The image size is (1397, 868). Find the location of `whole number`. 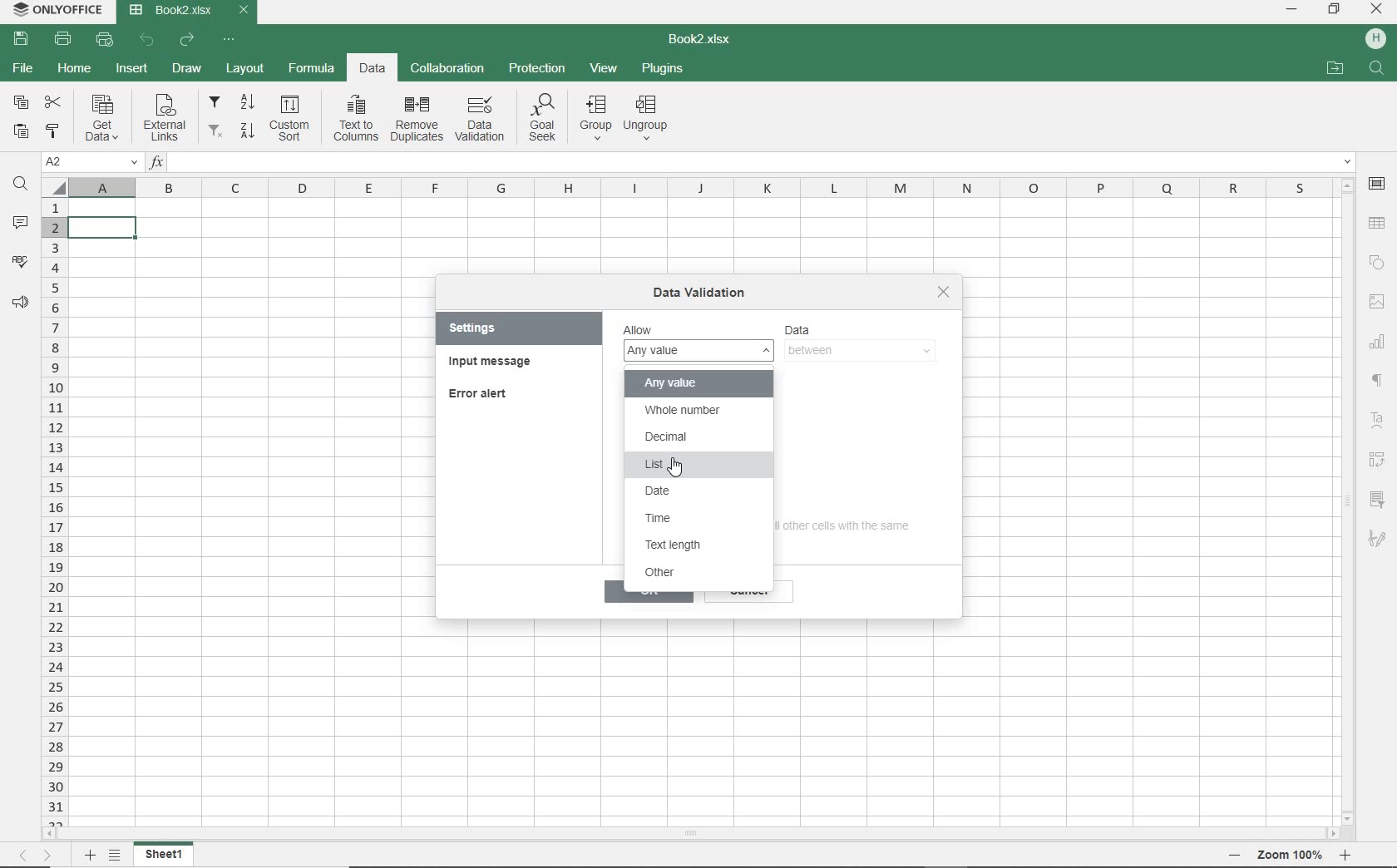

whole number is located at coordinates (691, 411).